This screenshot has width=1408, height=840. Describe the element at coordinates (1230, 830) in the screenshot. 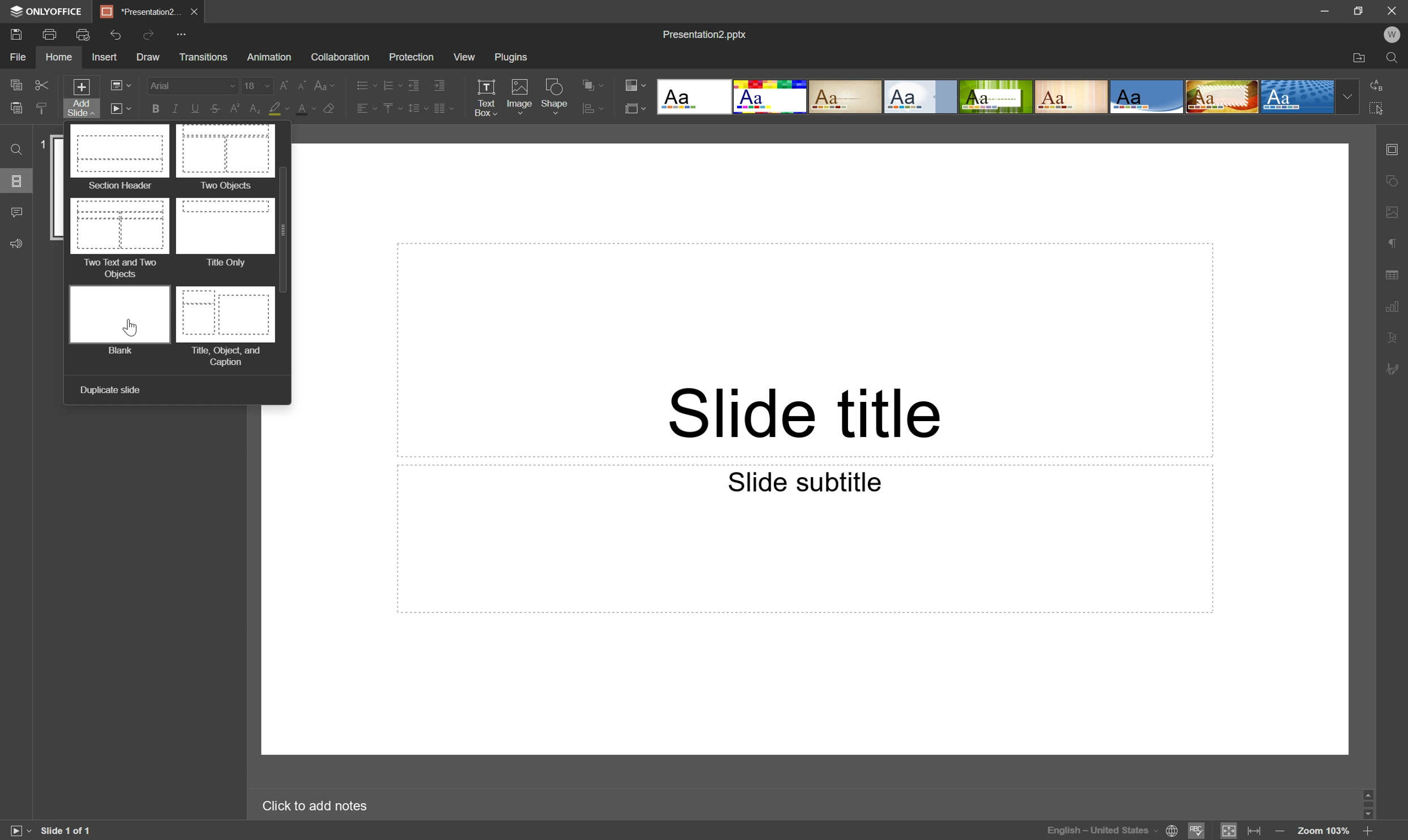

I see `Fit to slide` at that location.